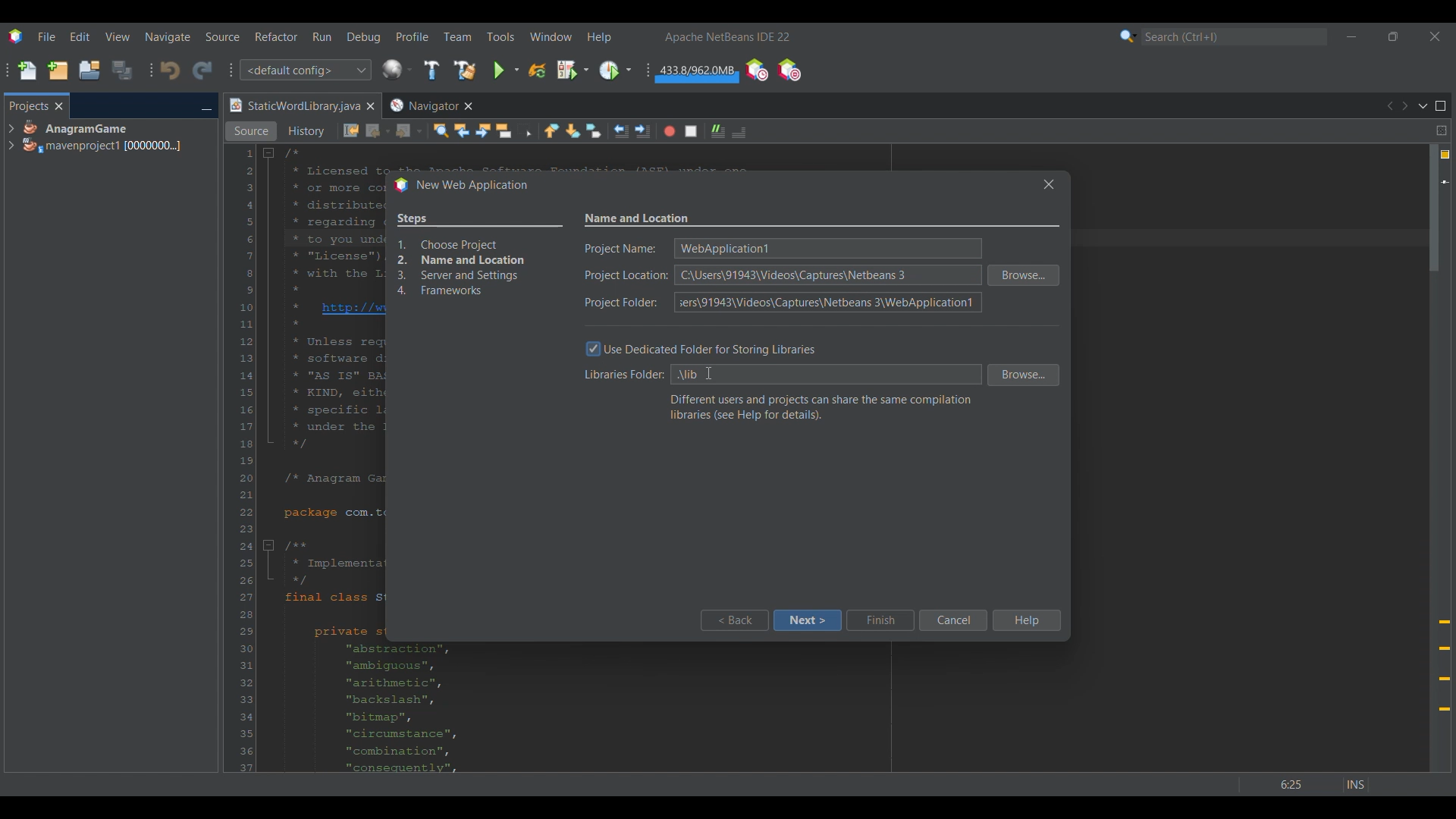 This screenshot has width=1456, height=819. What do you see at coordinates (500, 36) in the screenshot?
I see `Tools menu` at bounding box center [500, 36].